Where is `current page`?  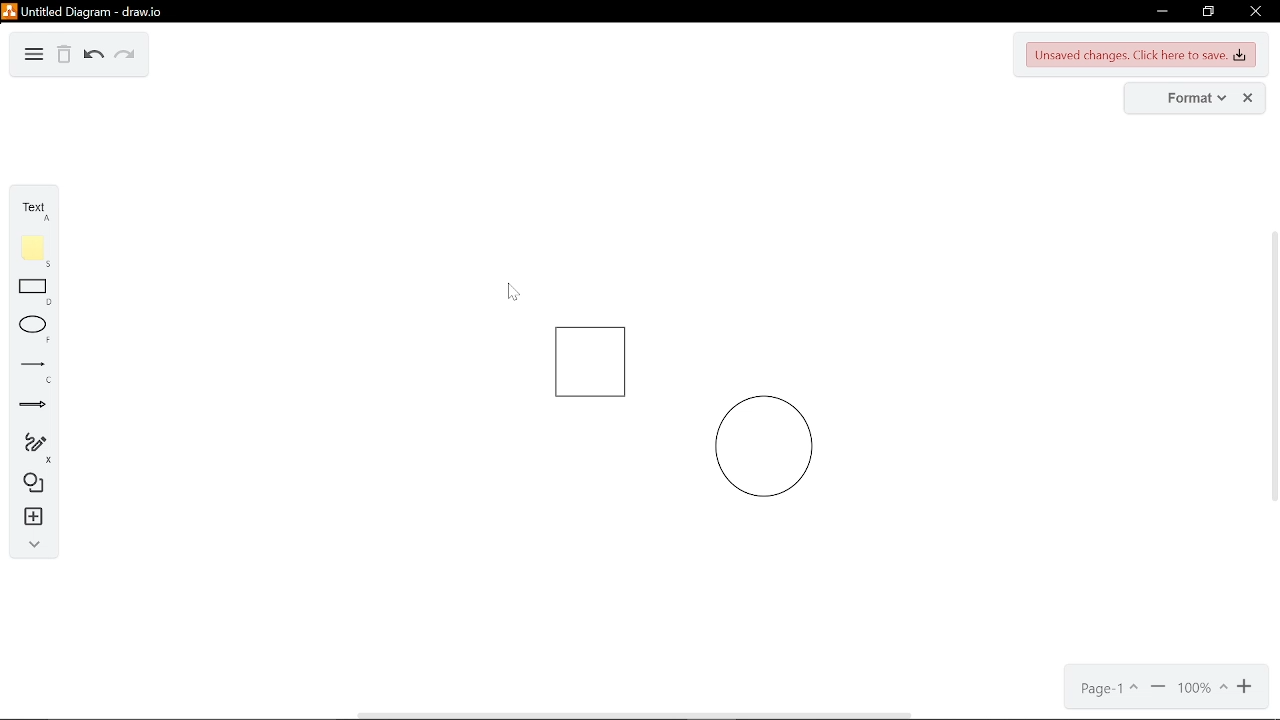
current page is located at coordinates (1107, 689).